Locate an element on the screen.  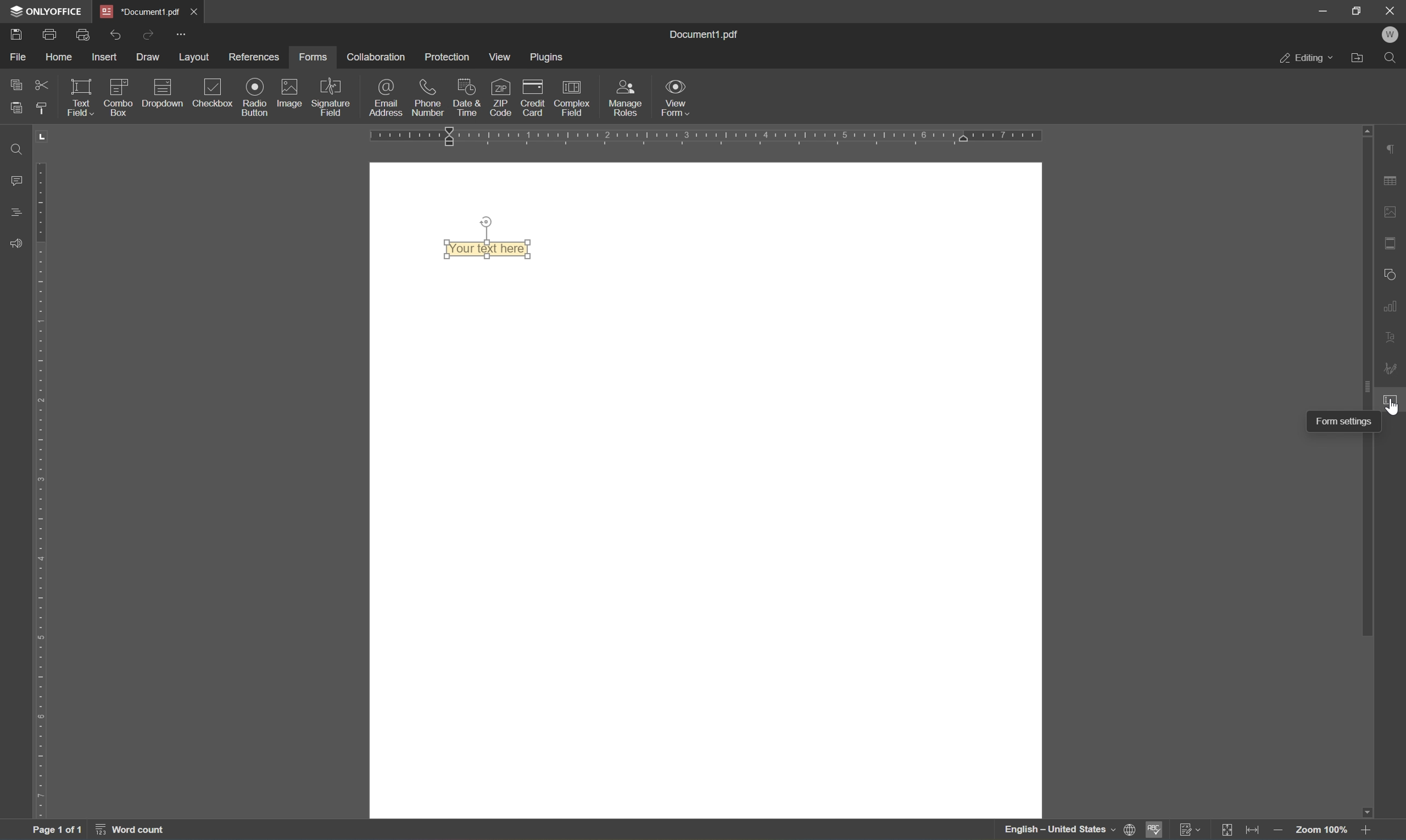
shape settings is located at coordinates (1391, 276).